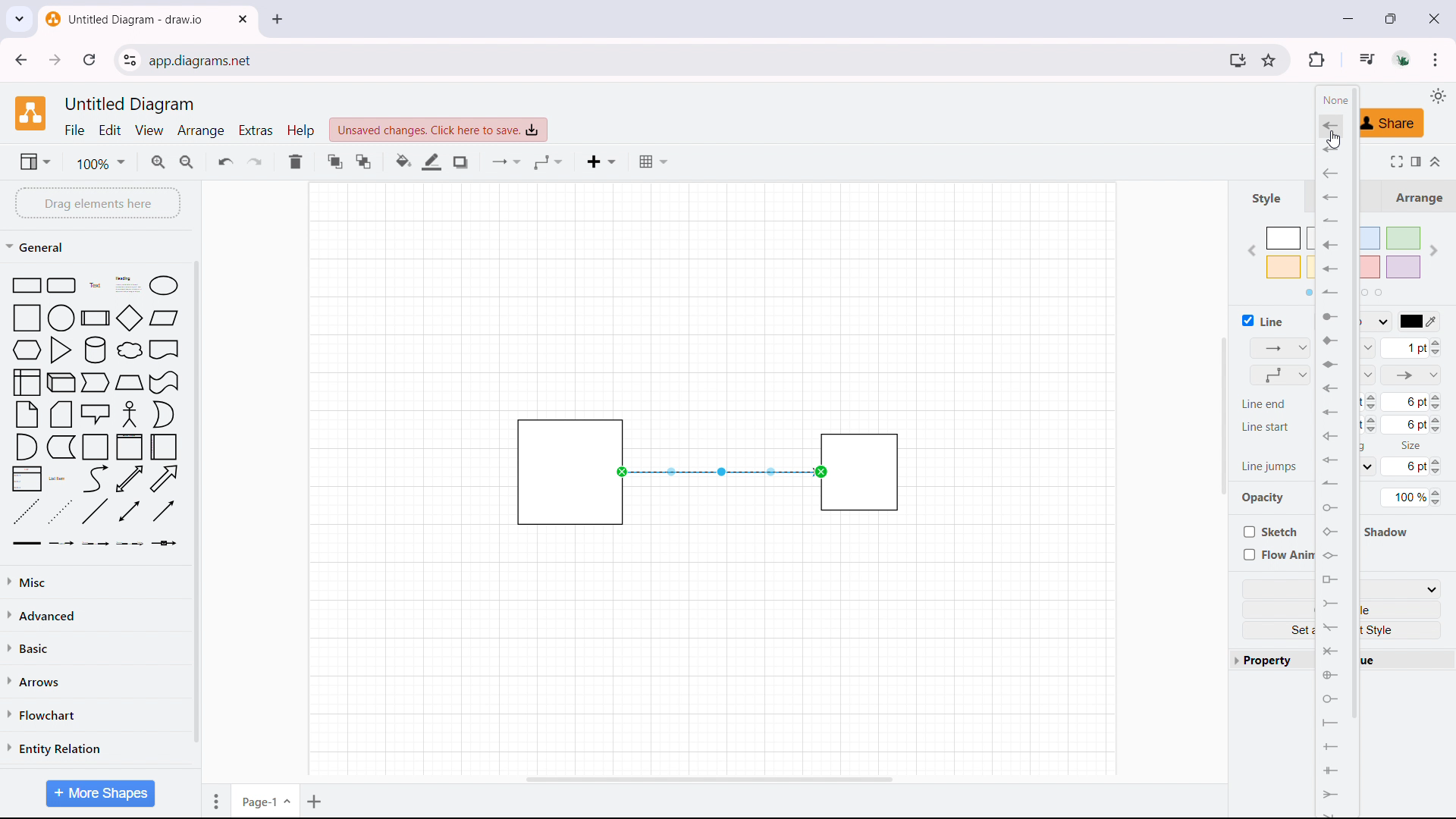 This screenshot has width=1456, height=819. I want to click on media control, so click(1365, 58).